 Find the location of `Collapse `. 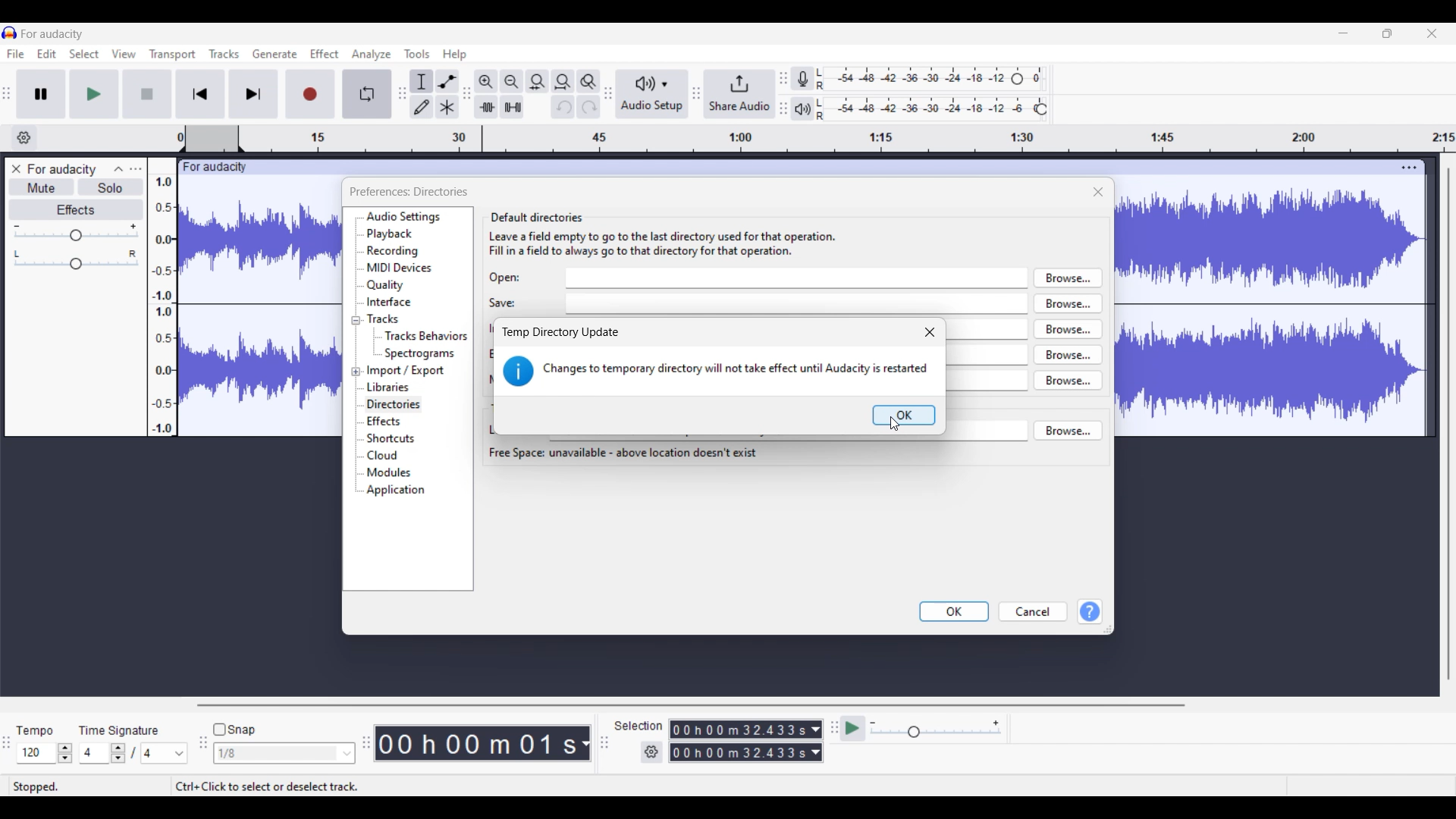

Collapse  is located at coordinates (118, 170).